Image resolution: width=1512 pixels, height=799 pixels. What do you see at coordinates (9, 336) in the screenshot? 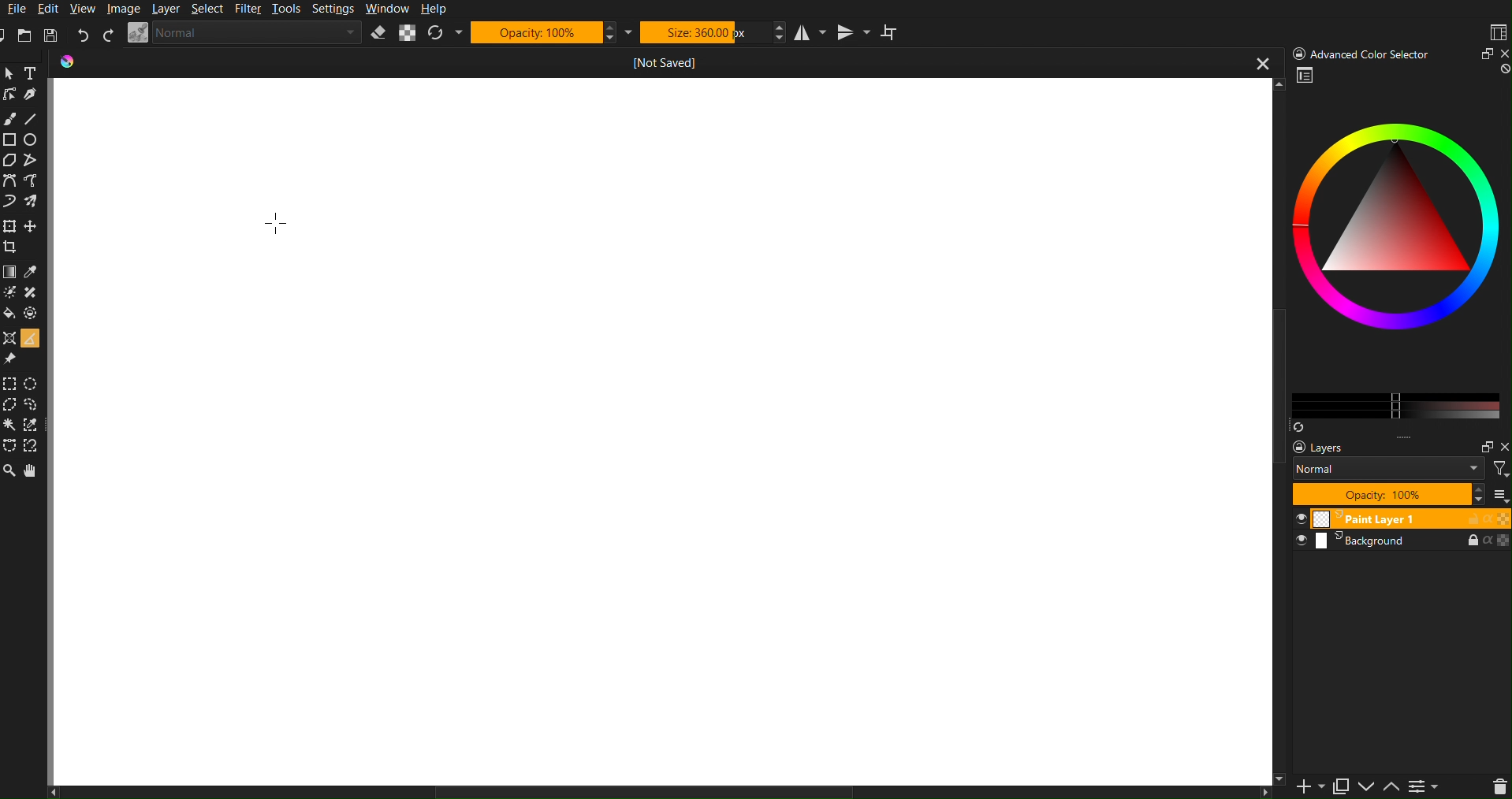
I see `Assistant Tool` at bounding box center [9, 336].